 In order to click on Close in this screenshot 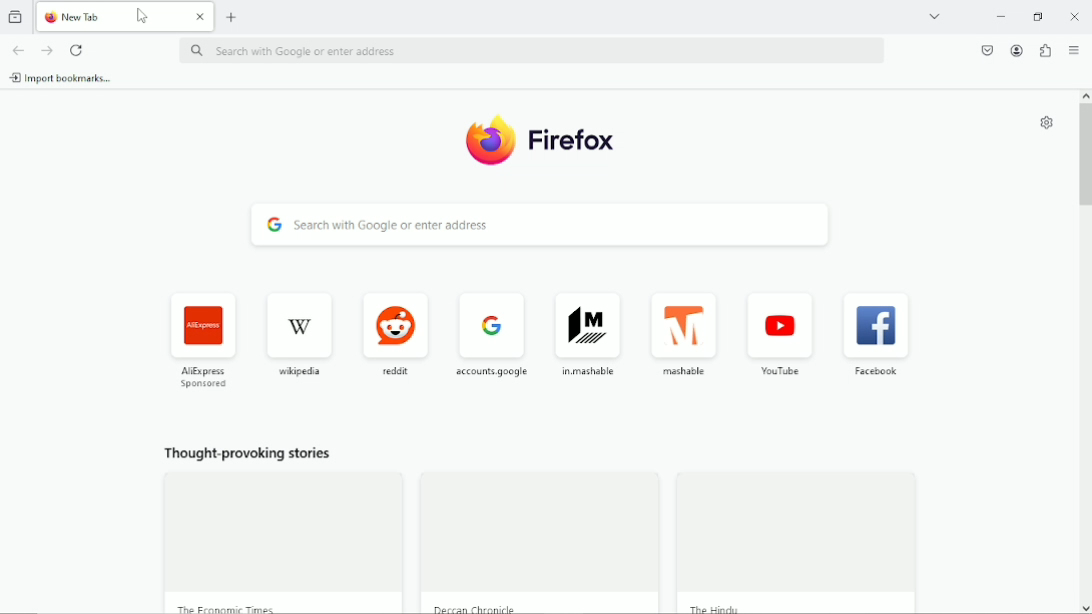, I will do `click(1076, 18)`.